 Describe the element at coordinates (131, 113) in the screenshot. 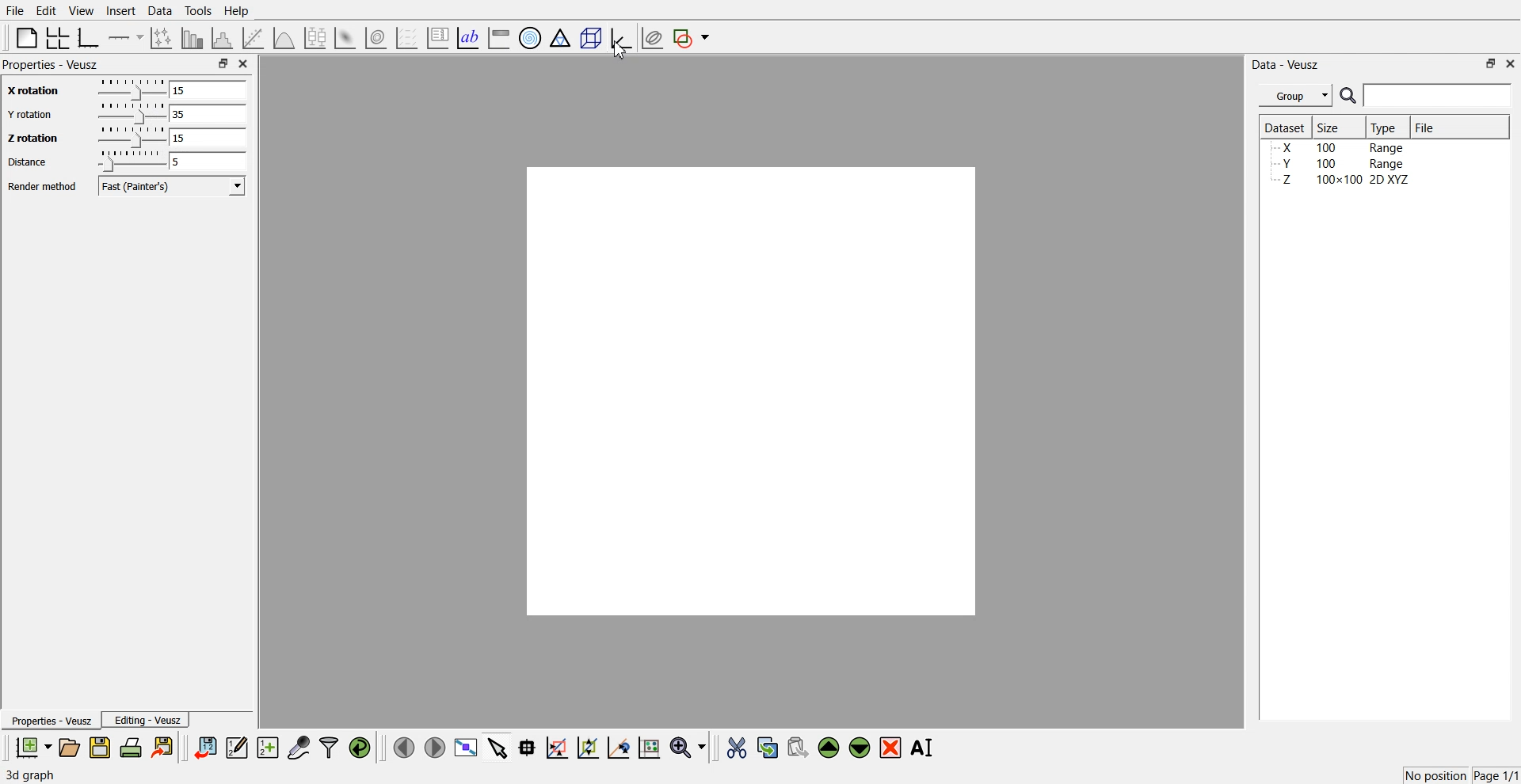

I see `Drag Handle` at that location.